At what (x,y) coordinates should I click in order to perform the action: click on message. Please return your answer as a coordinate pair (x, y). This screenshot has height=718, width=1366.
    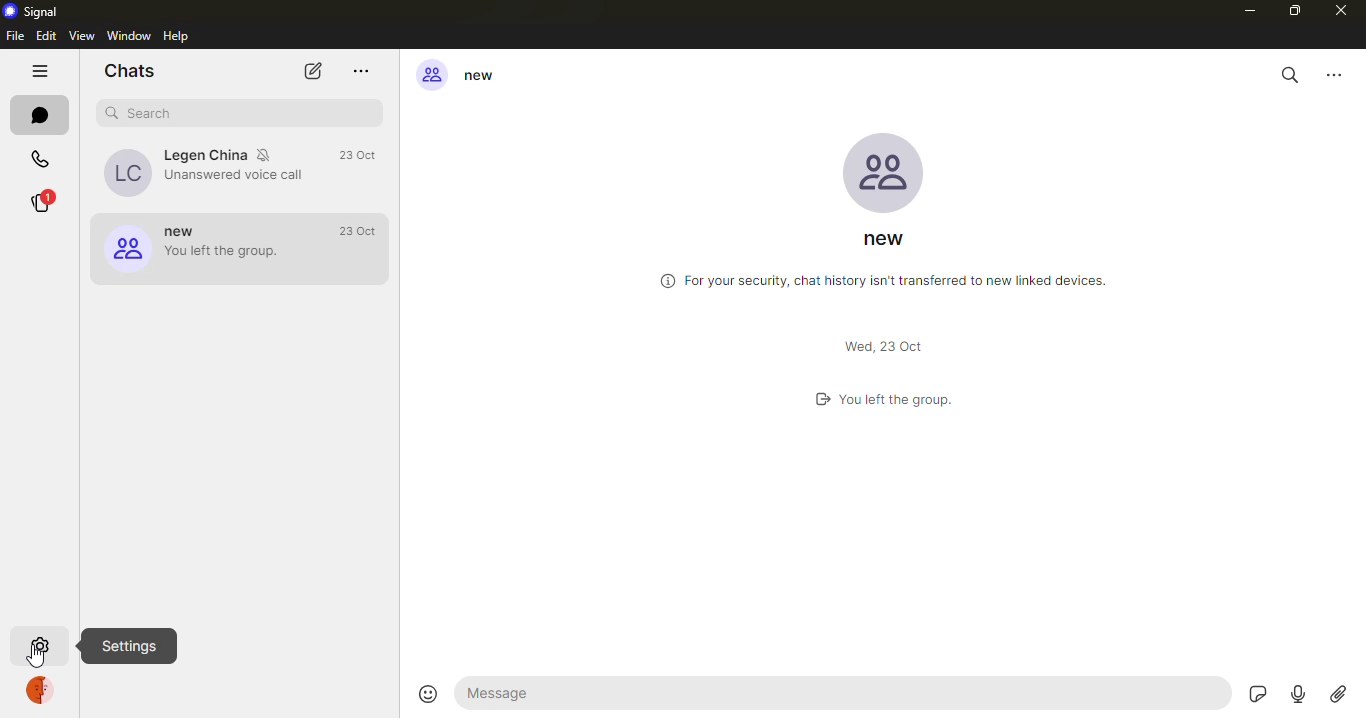
    Looking at the image, I should click on (844, 691).